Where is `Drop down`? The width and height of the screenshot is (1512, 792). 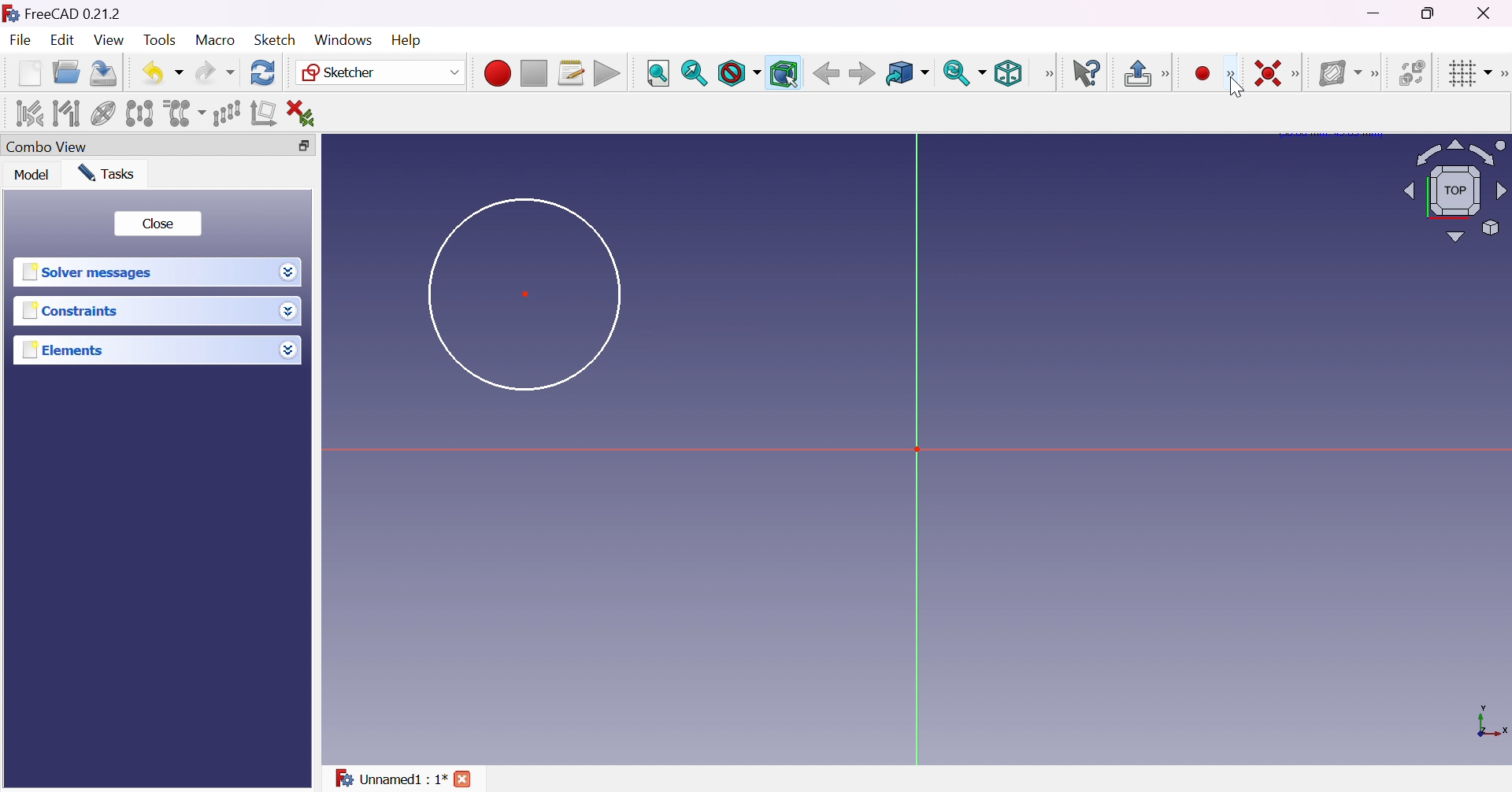 Drop down is located at coordinates (288, 350).